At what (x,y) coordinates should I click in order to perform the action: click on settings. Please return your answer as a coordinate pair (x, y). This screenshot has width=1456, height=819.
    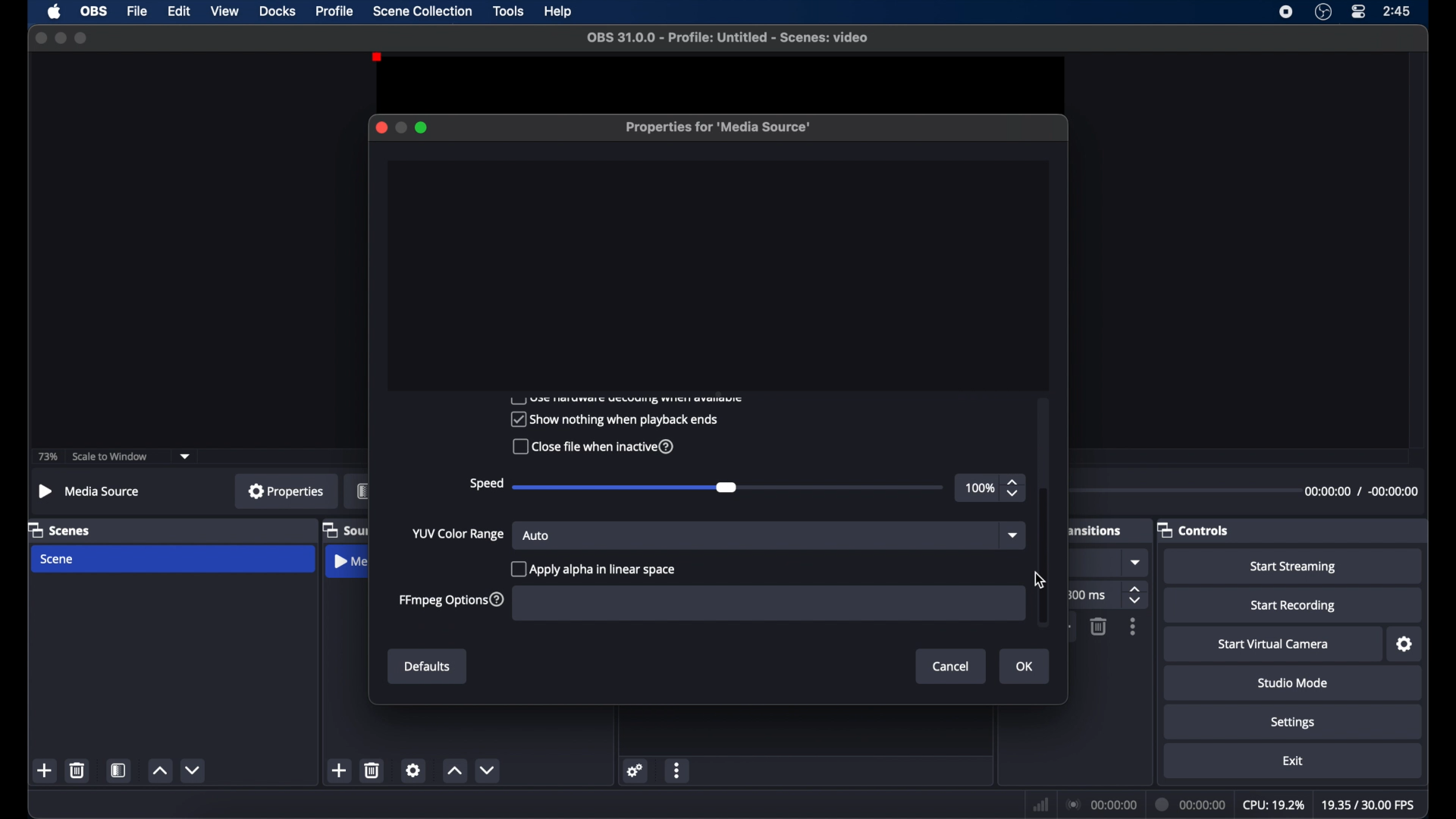
    Looking at the image, I should click on (1293, 722).